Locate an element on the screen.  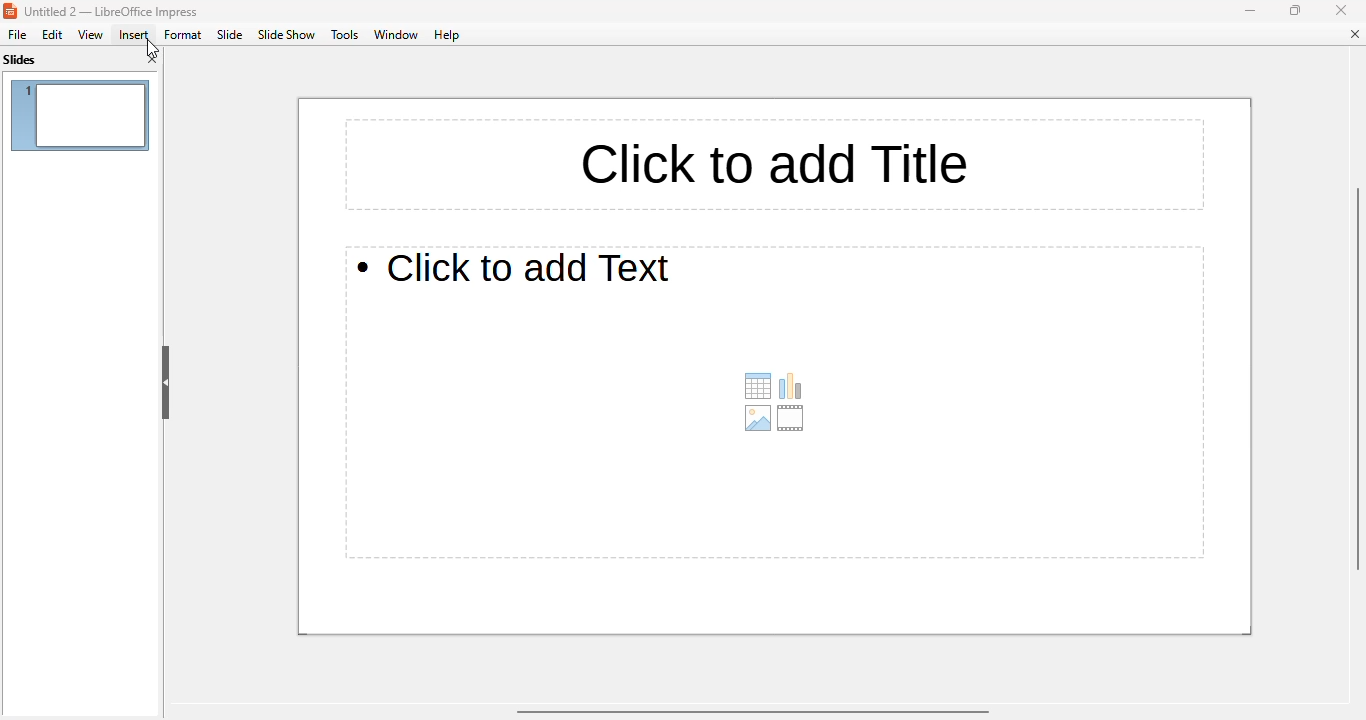
close is located at coordinates (1342, 10).